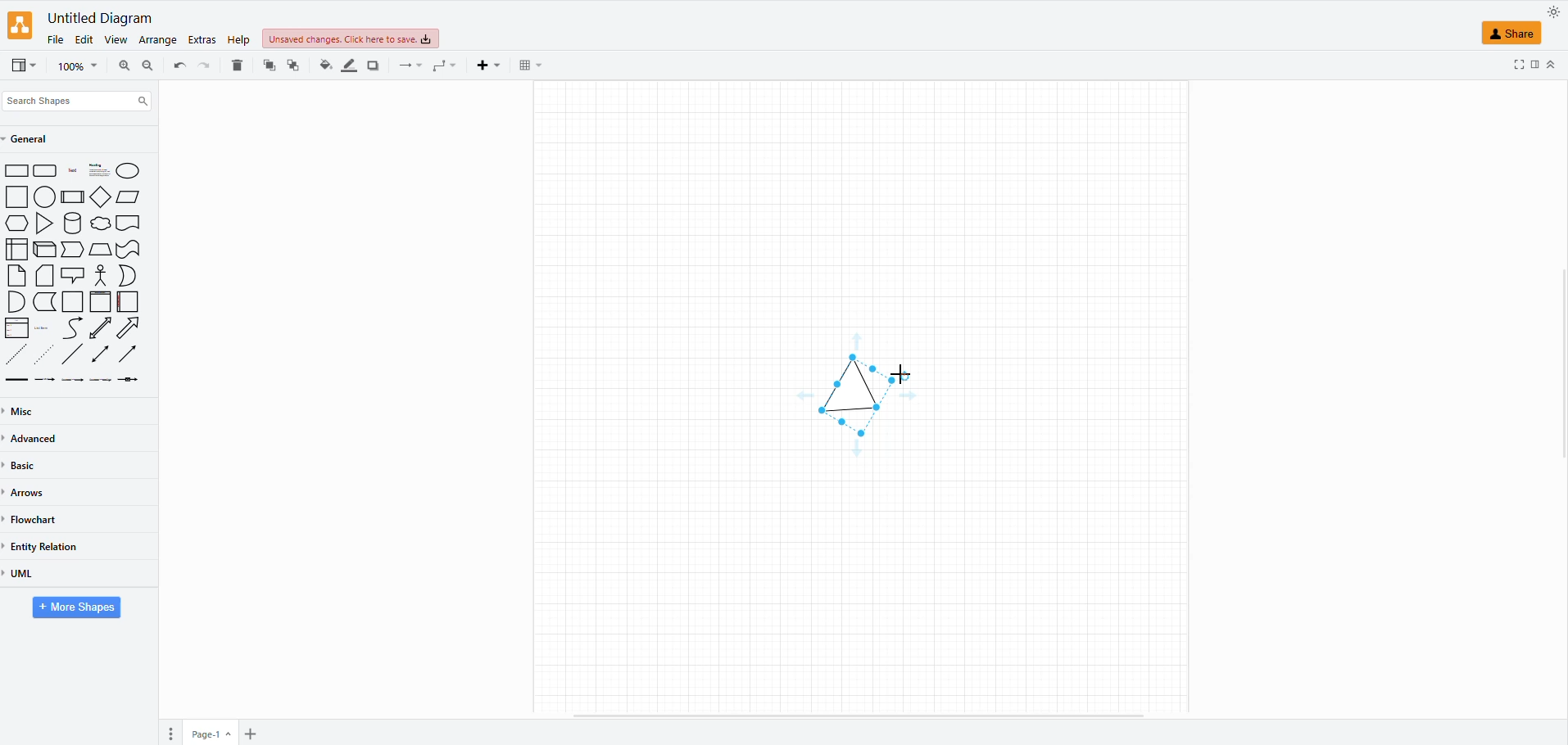 The height and width of the screenshot is (745, 1568). Describe the element at coordinates (129, 328) in the screenshot. I see `Bordered Arrow` at that location.